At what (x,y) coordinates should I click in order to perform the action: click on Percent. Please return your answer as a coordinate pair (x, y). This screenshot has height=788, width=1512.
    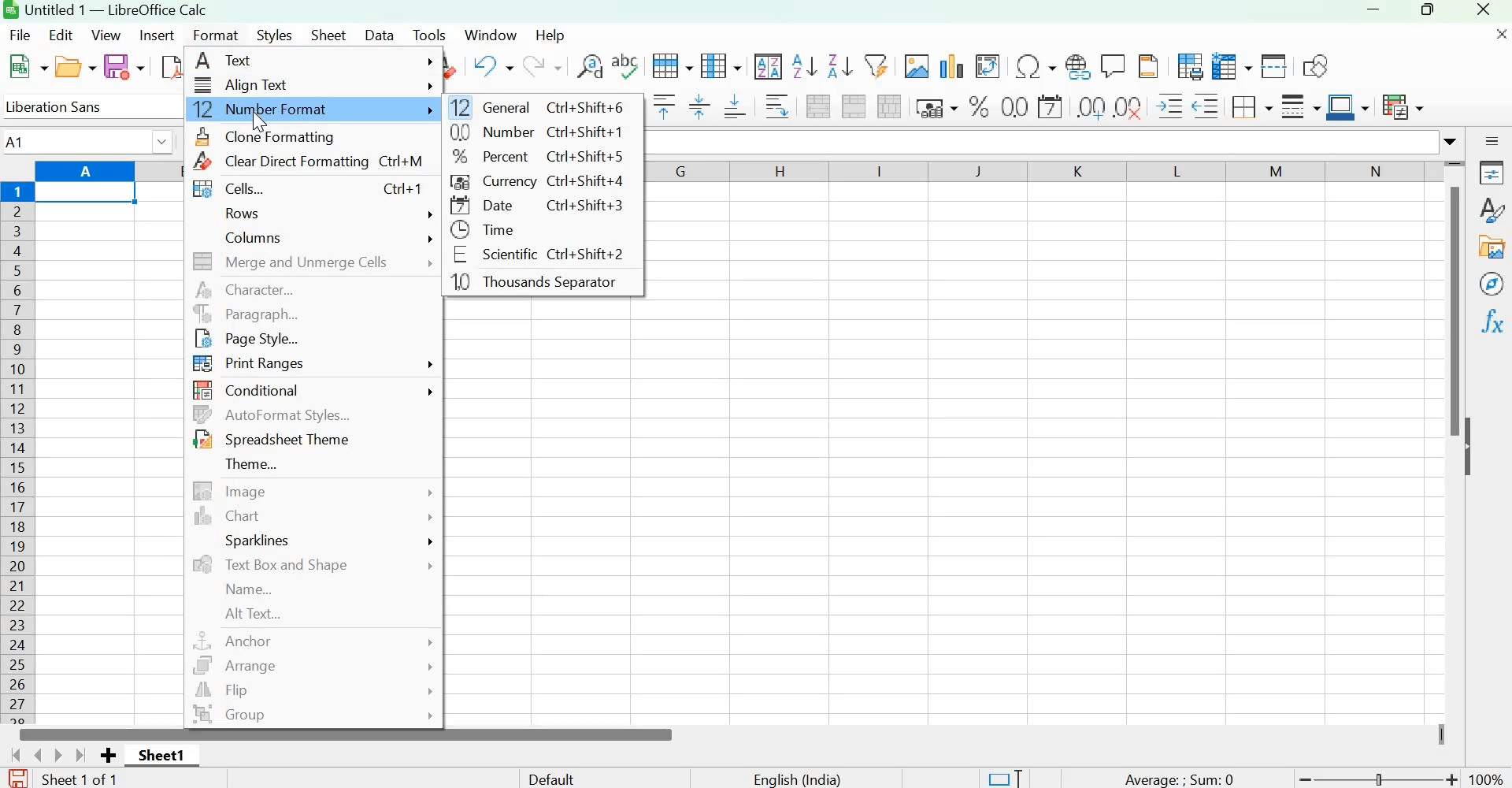
    Looking at the image, I should click on (541, 156).